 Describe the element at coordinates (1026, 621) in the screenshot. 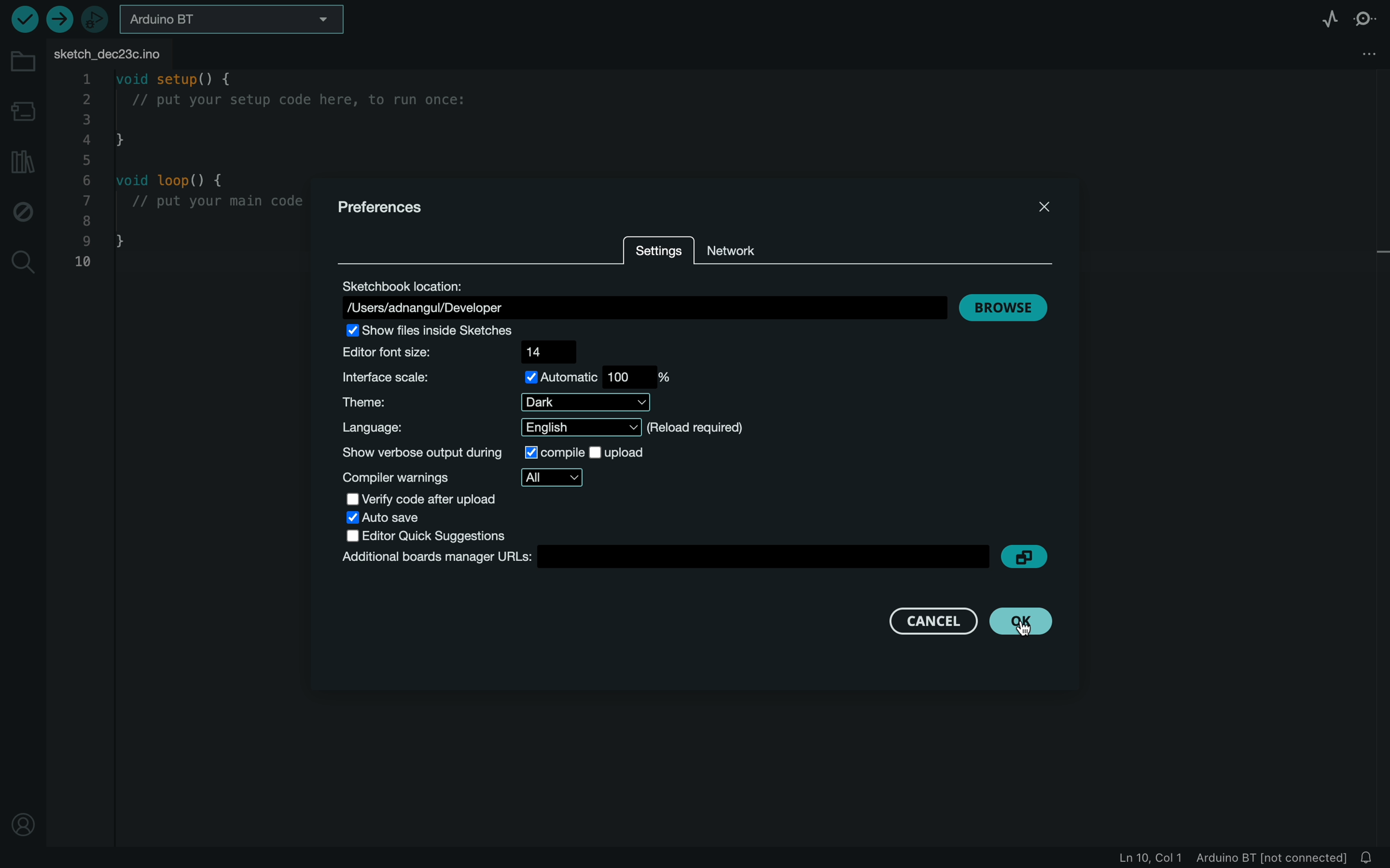

I see `cursor` at that location.